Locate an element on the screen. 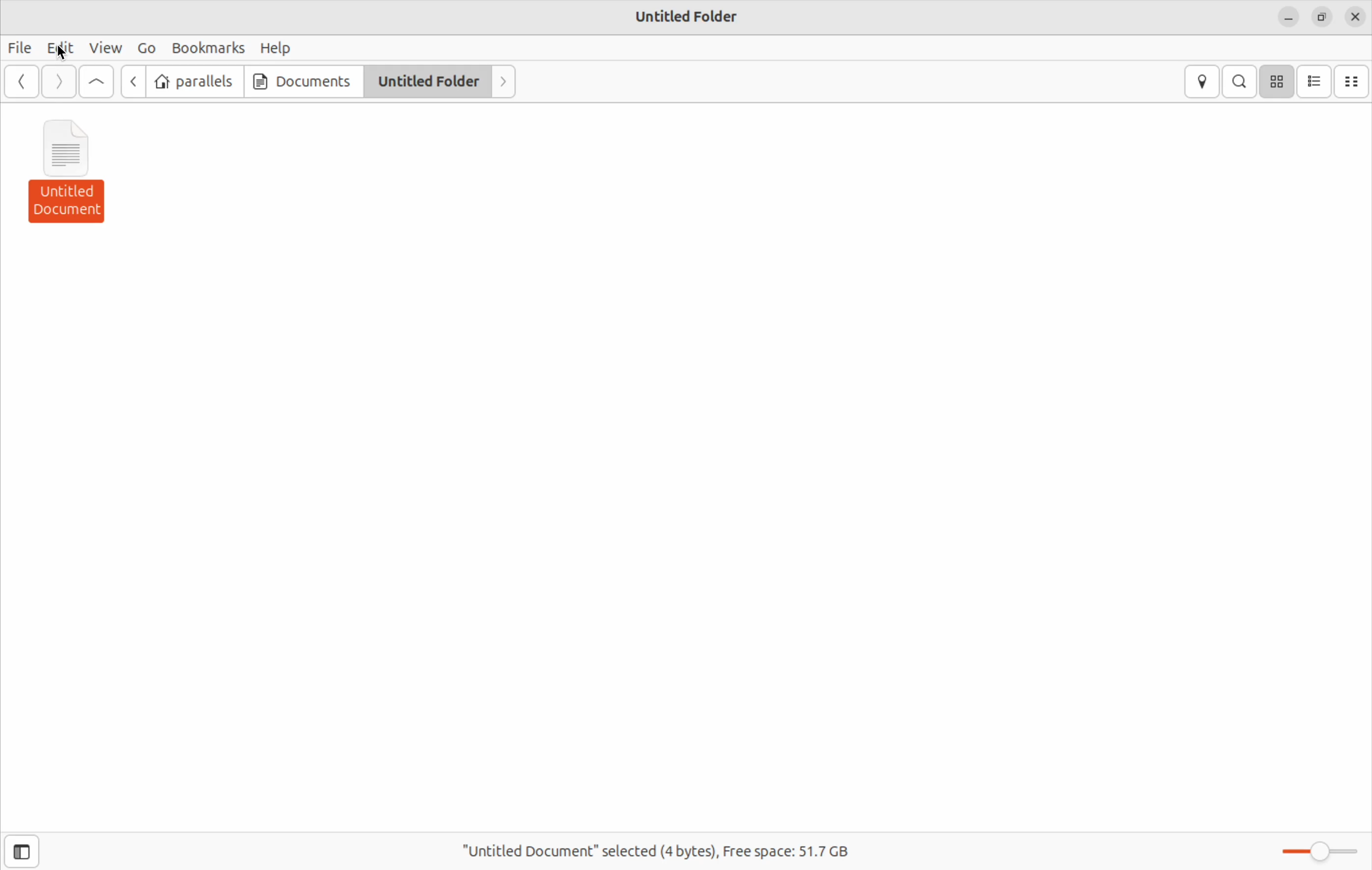  icon view is located at coordinates (1279, 81).